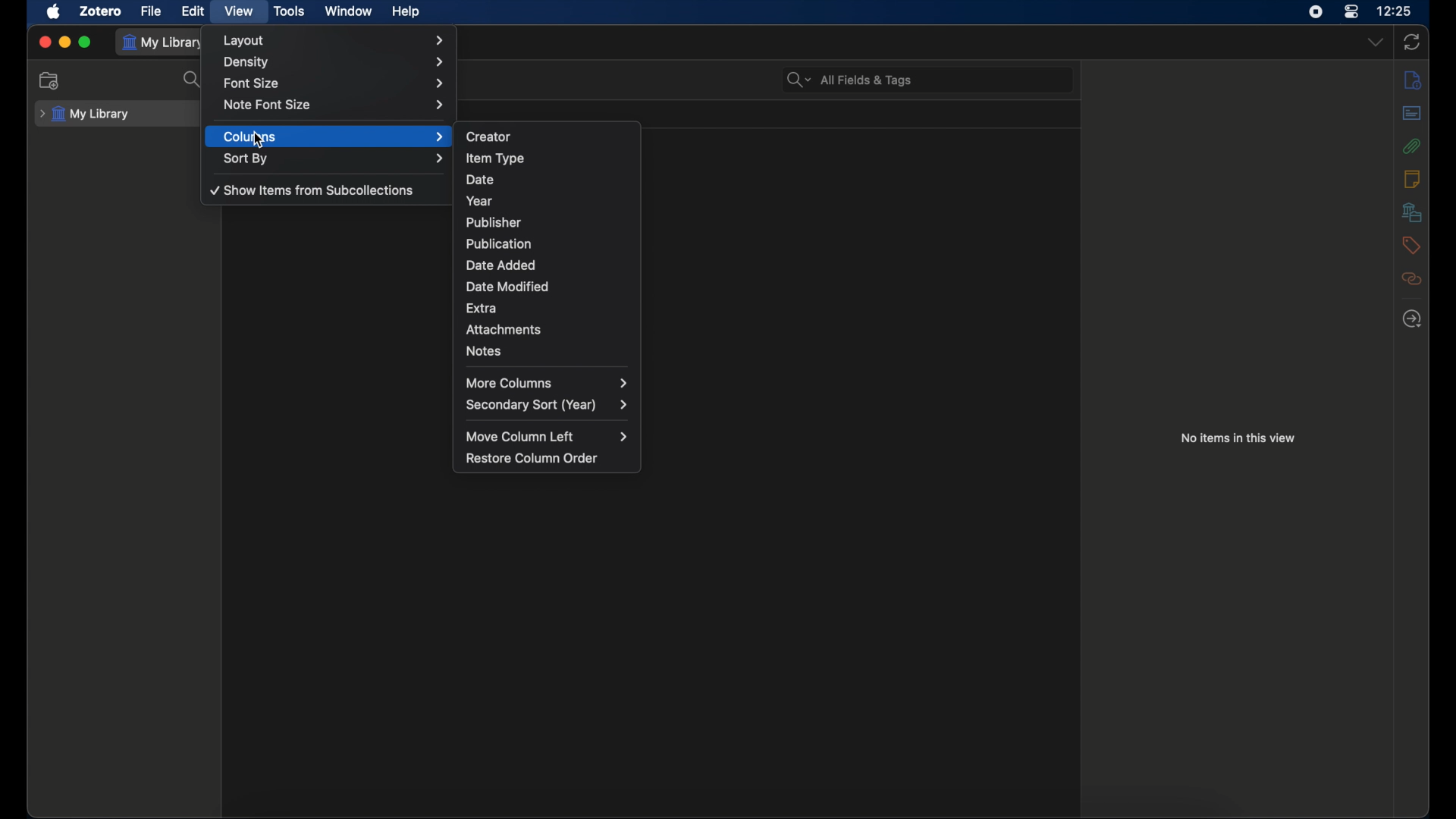 Image resolution: width=1456 pixels, height=819 pixels. Describe the element at coordinates (849, 80) in the screenshot. I see `search bar` at that location.